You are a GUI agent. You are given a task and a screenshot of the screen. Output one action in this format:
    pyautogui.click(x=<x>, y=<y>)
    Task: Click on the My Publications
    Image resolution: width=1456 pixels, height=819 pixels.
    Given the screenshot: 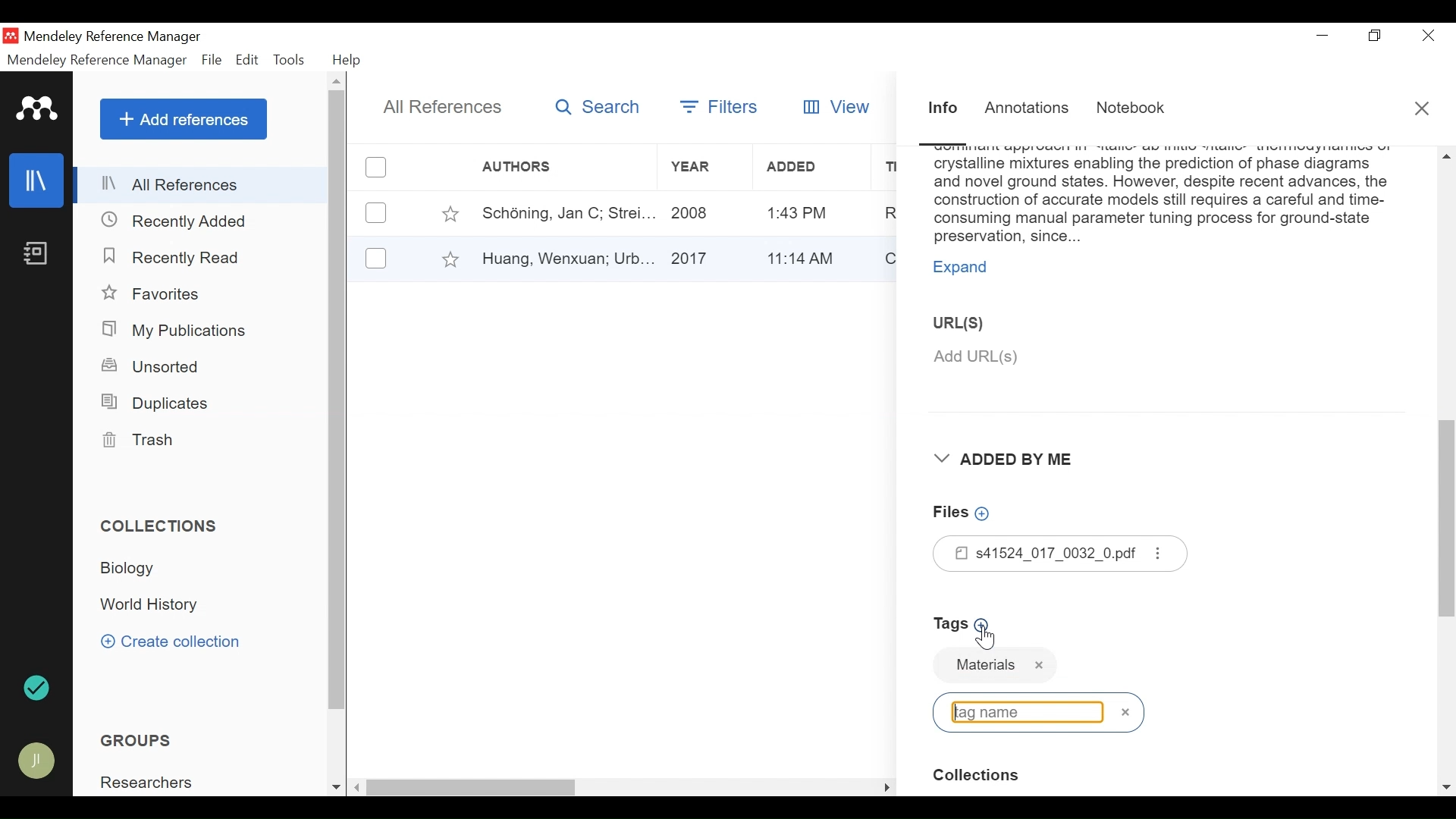 What is the action you would take?
    pyautogui.click(x=176, y=331)
    